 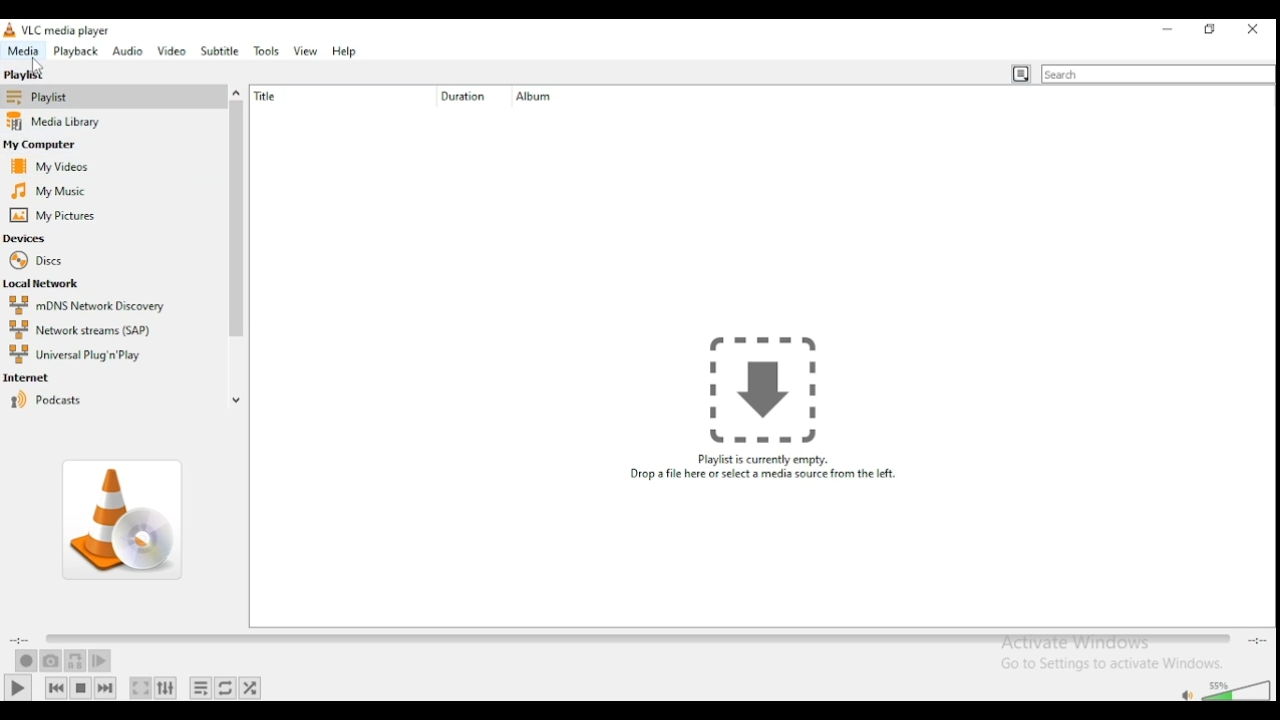 What do you see at coordinates (10, 30) in the screenshot?
I see `icon` at bounding box center [10, 30].